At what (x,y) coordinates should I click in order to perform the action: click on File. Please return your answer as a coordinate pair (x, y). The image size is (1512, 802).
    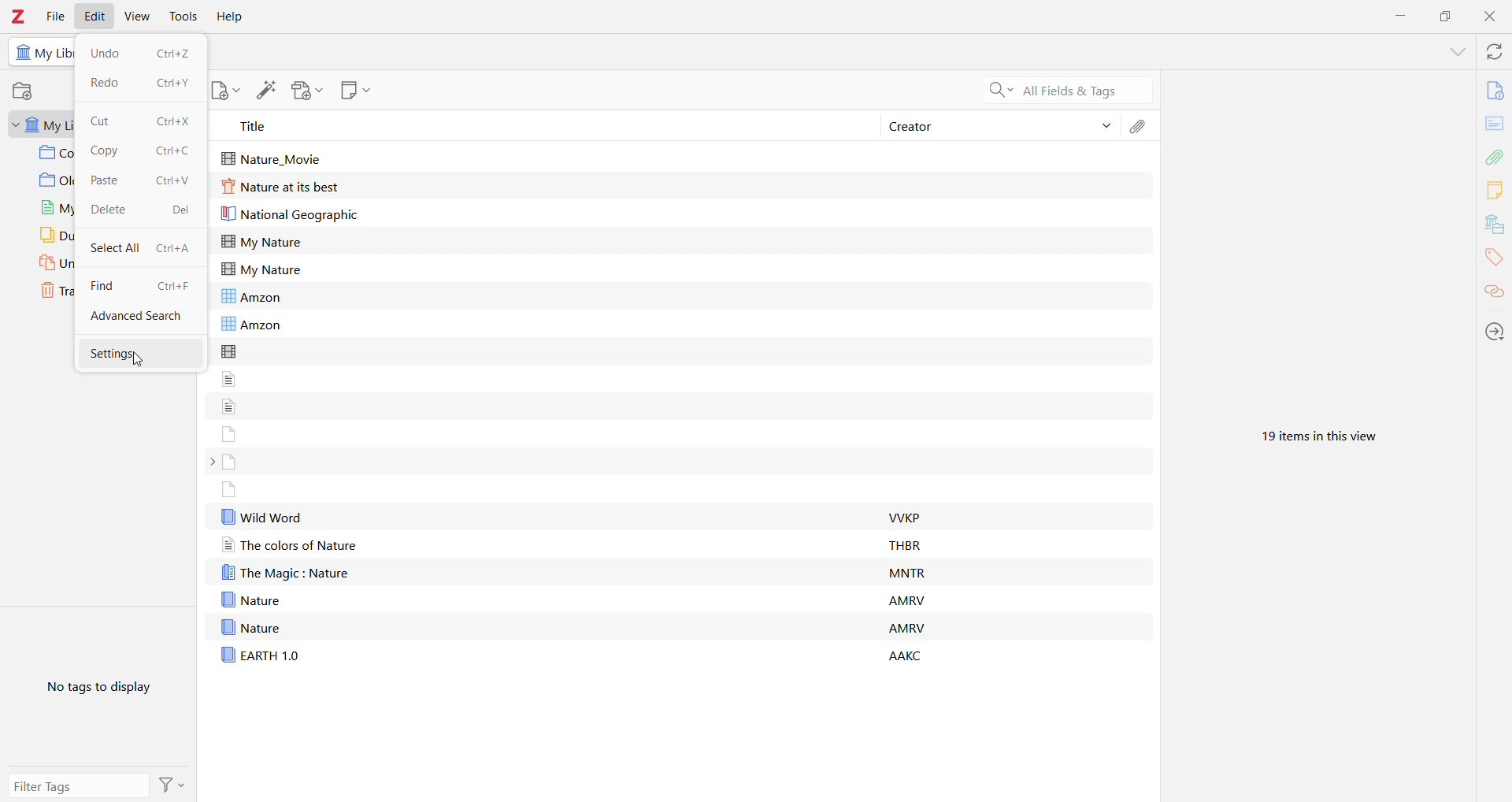
    Looking at the image, I should click on (56, 16).